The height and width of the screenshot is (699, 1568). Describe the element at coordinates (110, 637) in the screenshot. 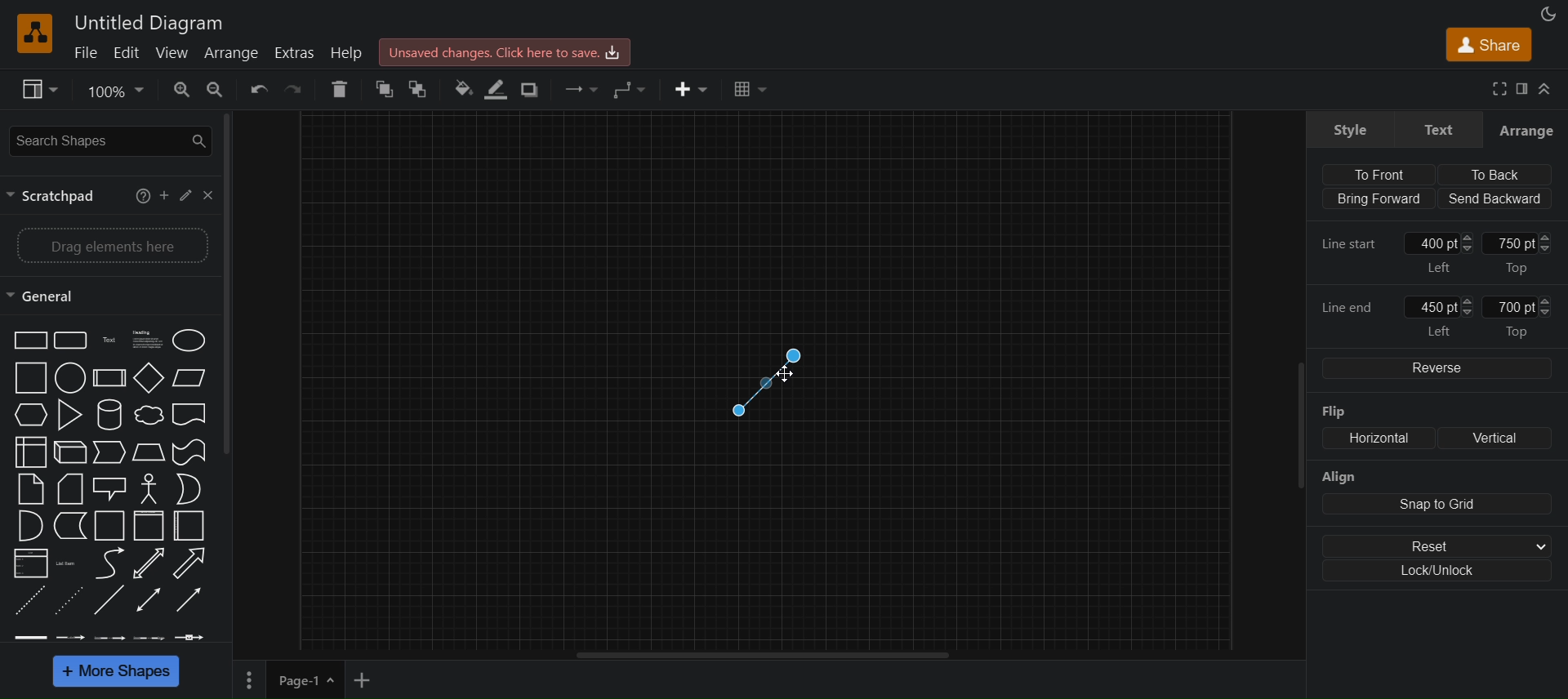

I see `connector 3` at that location.